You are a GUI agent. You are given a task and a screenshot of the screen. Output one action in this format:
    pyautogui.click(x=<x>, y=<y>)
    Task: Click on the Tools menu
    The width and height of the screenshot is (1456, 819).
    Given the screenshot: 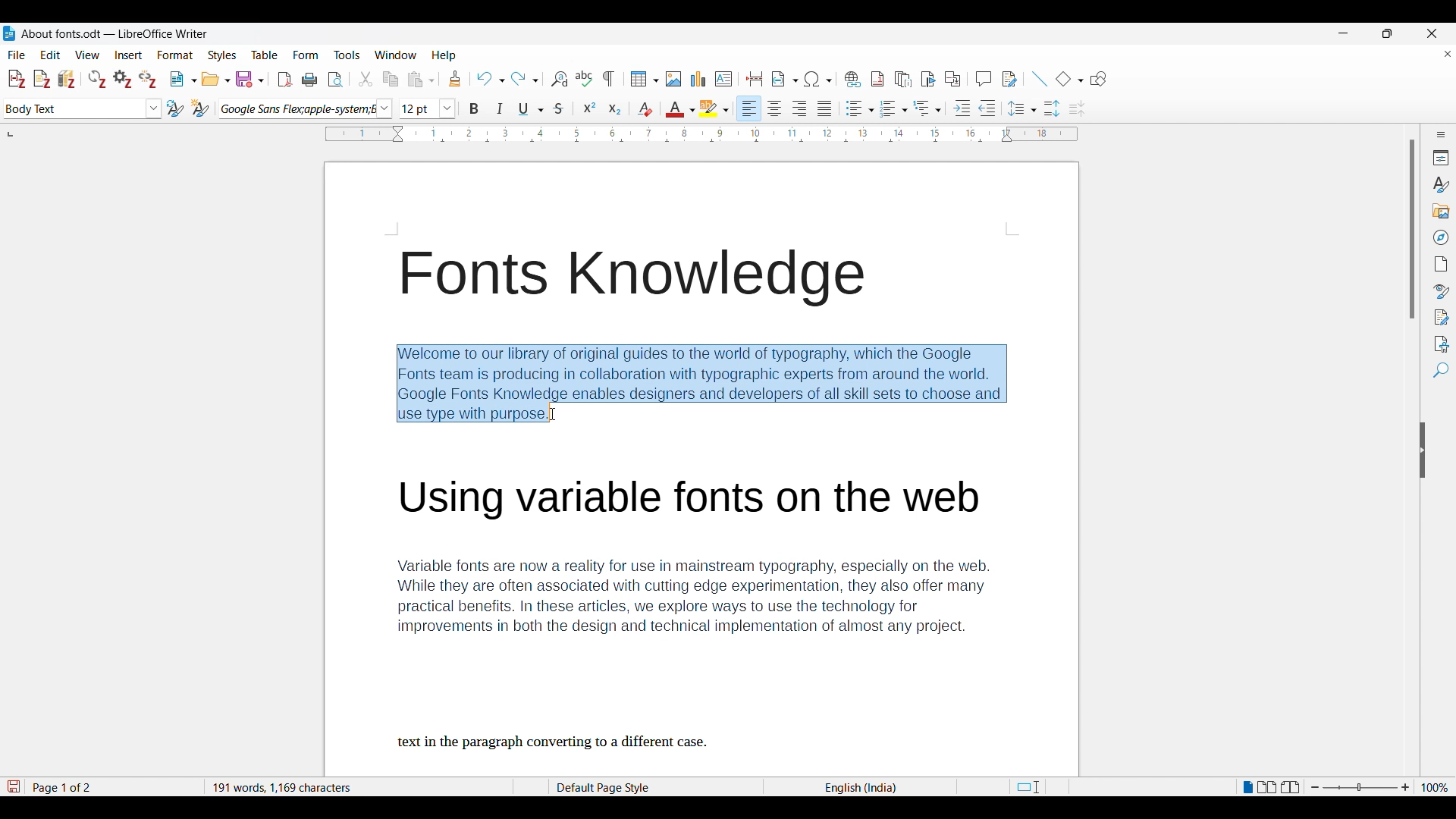 What is the action you would take?
    pyautogui.click(x=347, y=55)
    